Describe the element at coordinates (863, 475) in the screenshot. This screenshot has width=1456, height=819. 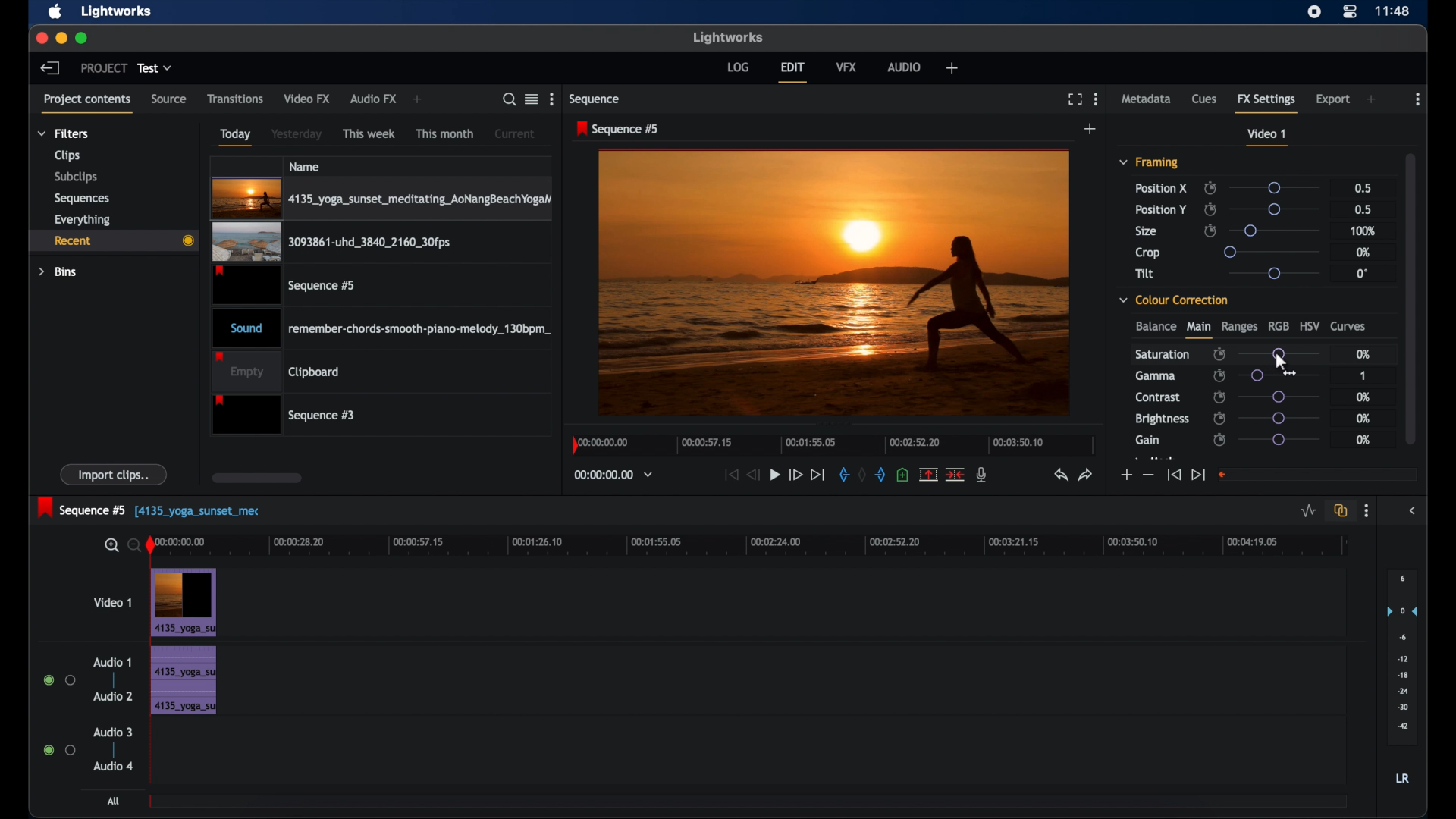
I see `clear marks` at that location.